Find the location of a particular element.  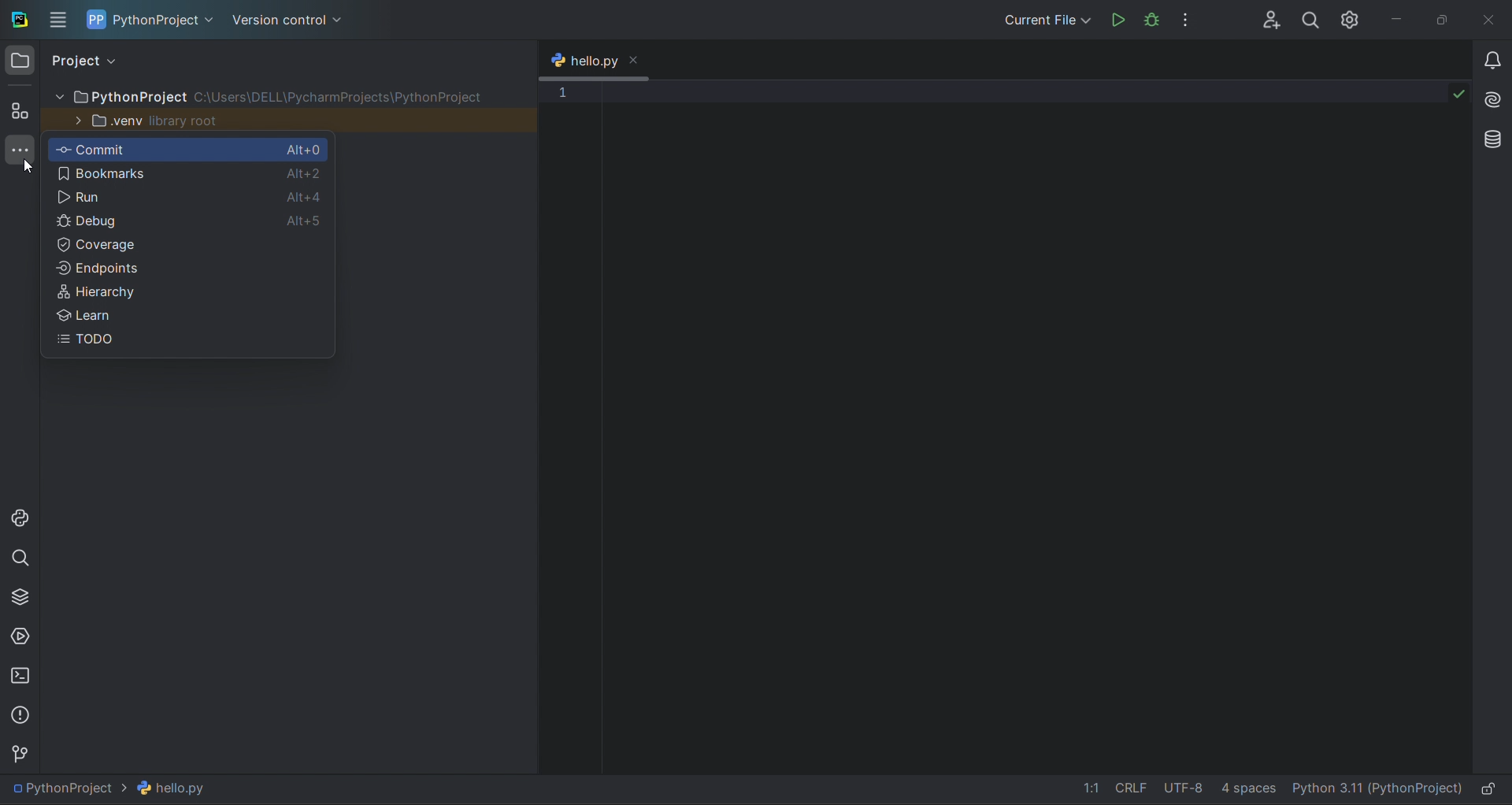

notifications is located at coordinates (1493, 61).